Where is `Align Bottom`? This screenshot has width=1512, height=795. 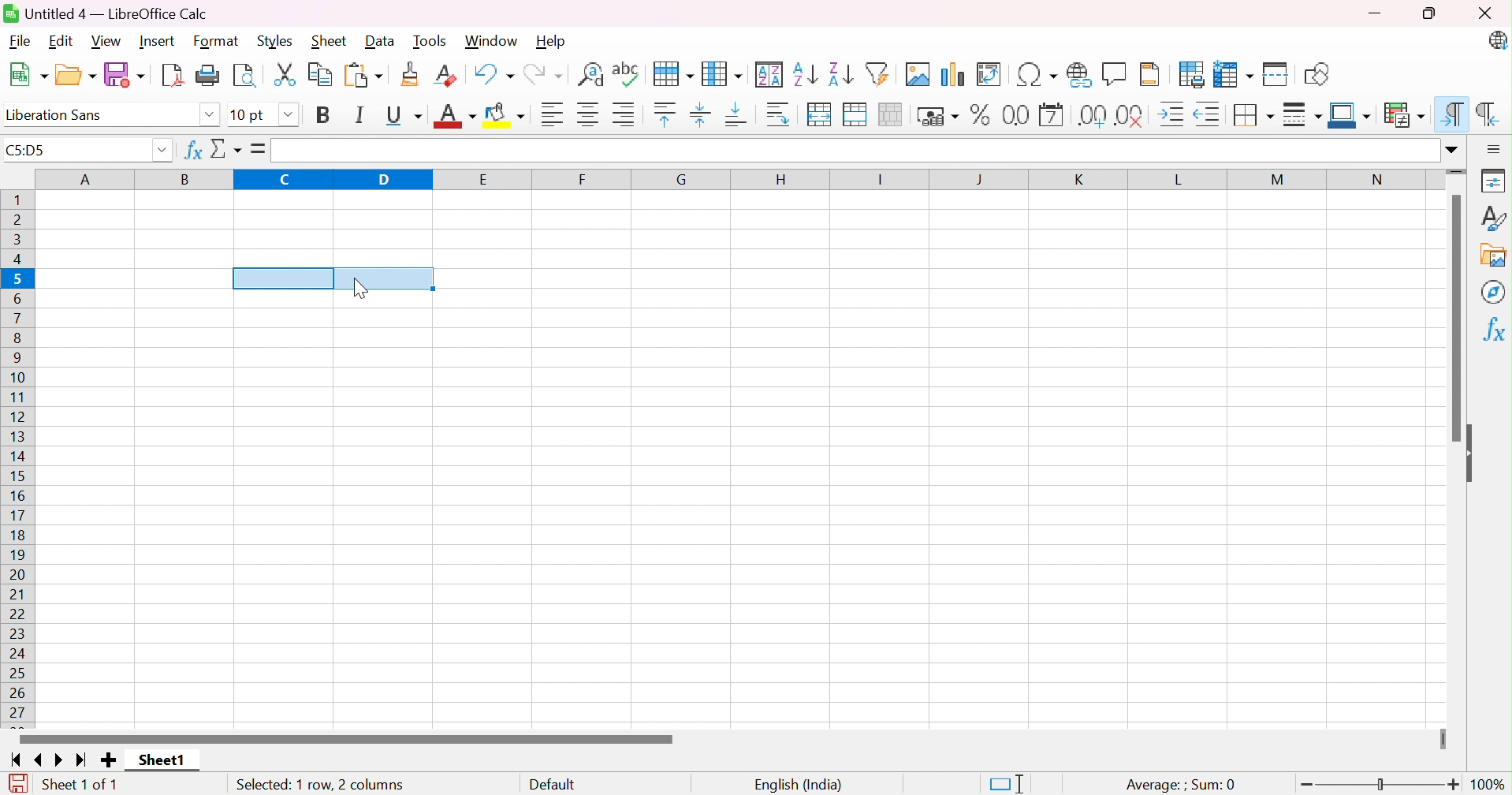
Align Bottom is located at coordinates (739, 117).